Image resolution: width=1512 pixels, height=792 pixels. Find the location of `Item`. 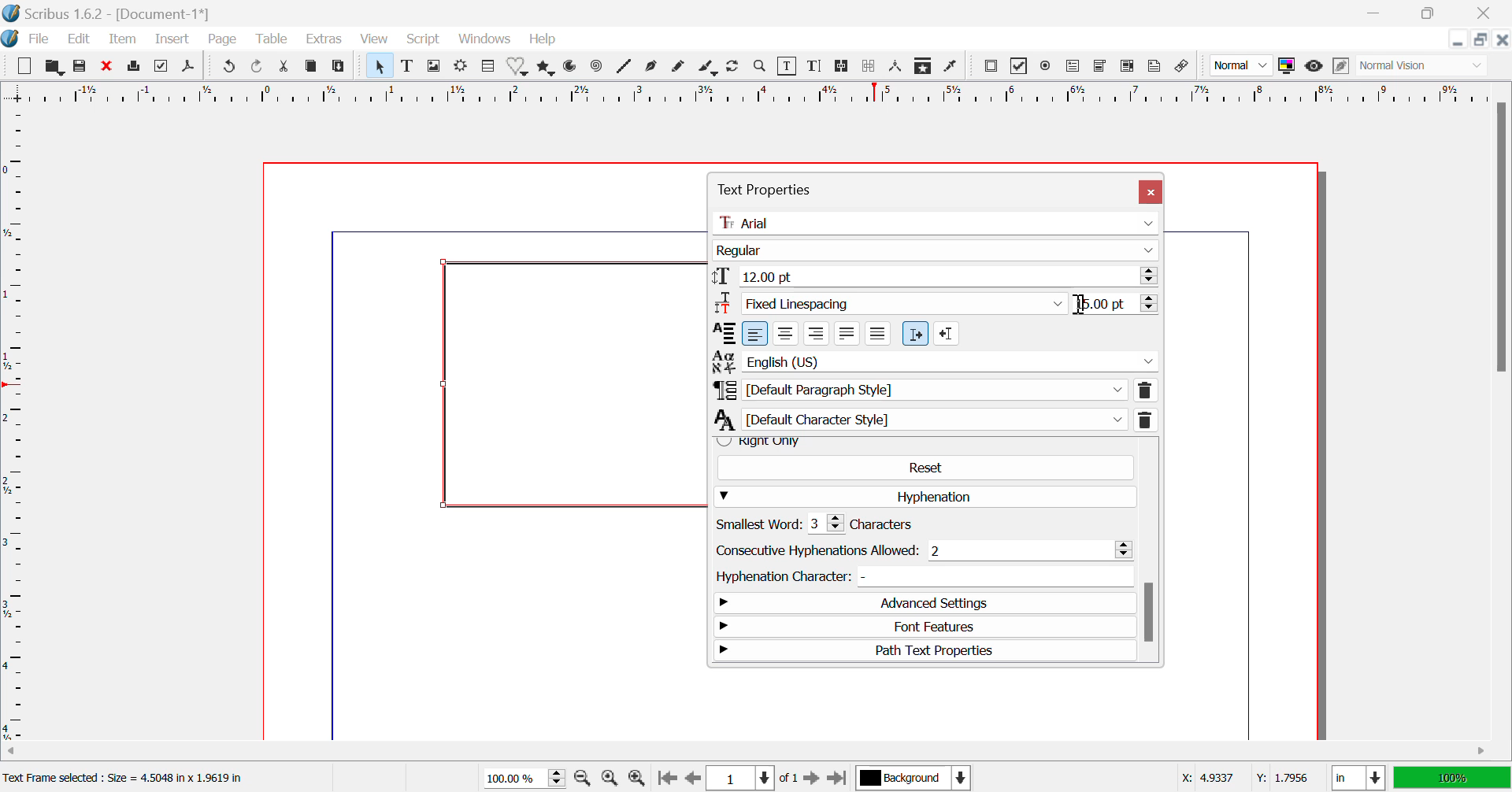

Item is located at coordinates (123, 41).